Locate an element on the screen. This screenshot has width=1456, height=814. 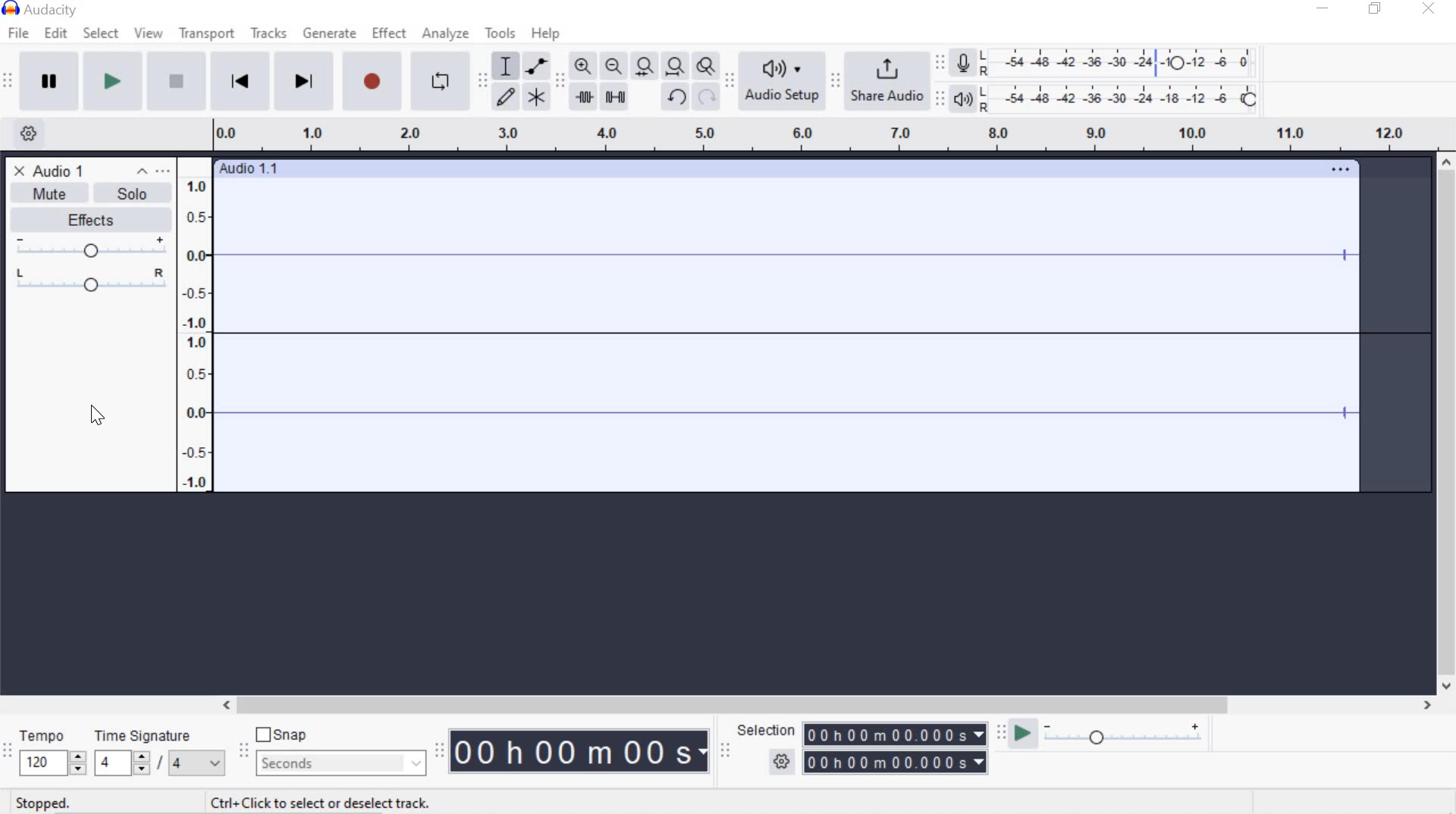
file is located at coordinates (21, 33).